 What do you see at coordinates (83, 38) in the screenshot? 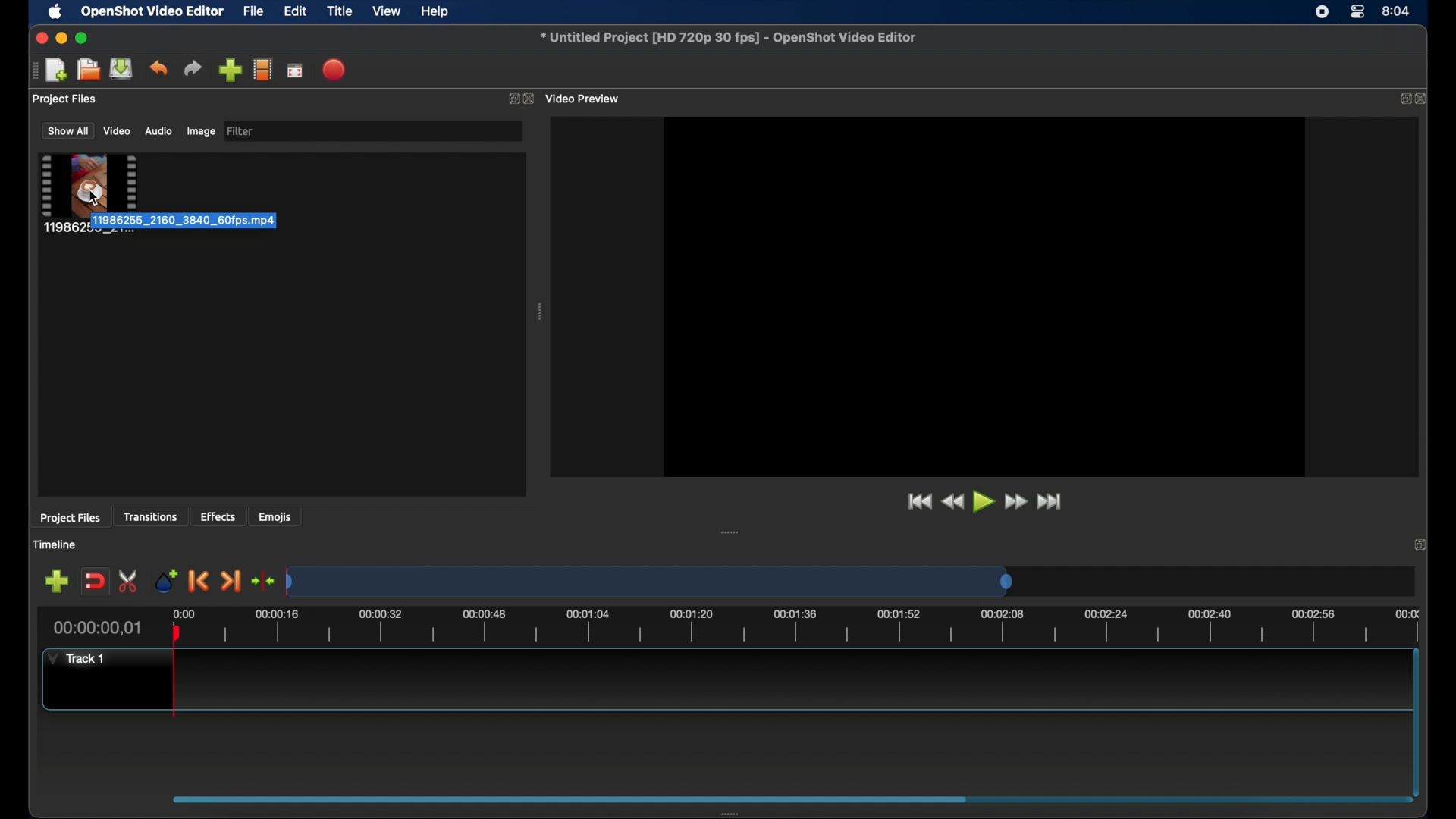
I see `maximize` at bounding box center [83, 38].